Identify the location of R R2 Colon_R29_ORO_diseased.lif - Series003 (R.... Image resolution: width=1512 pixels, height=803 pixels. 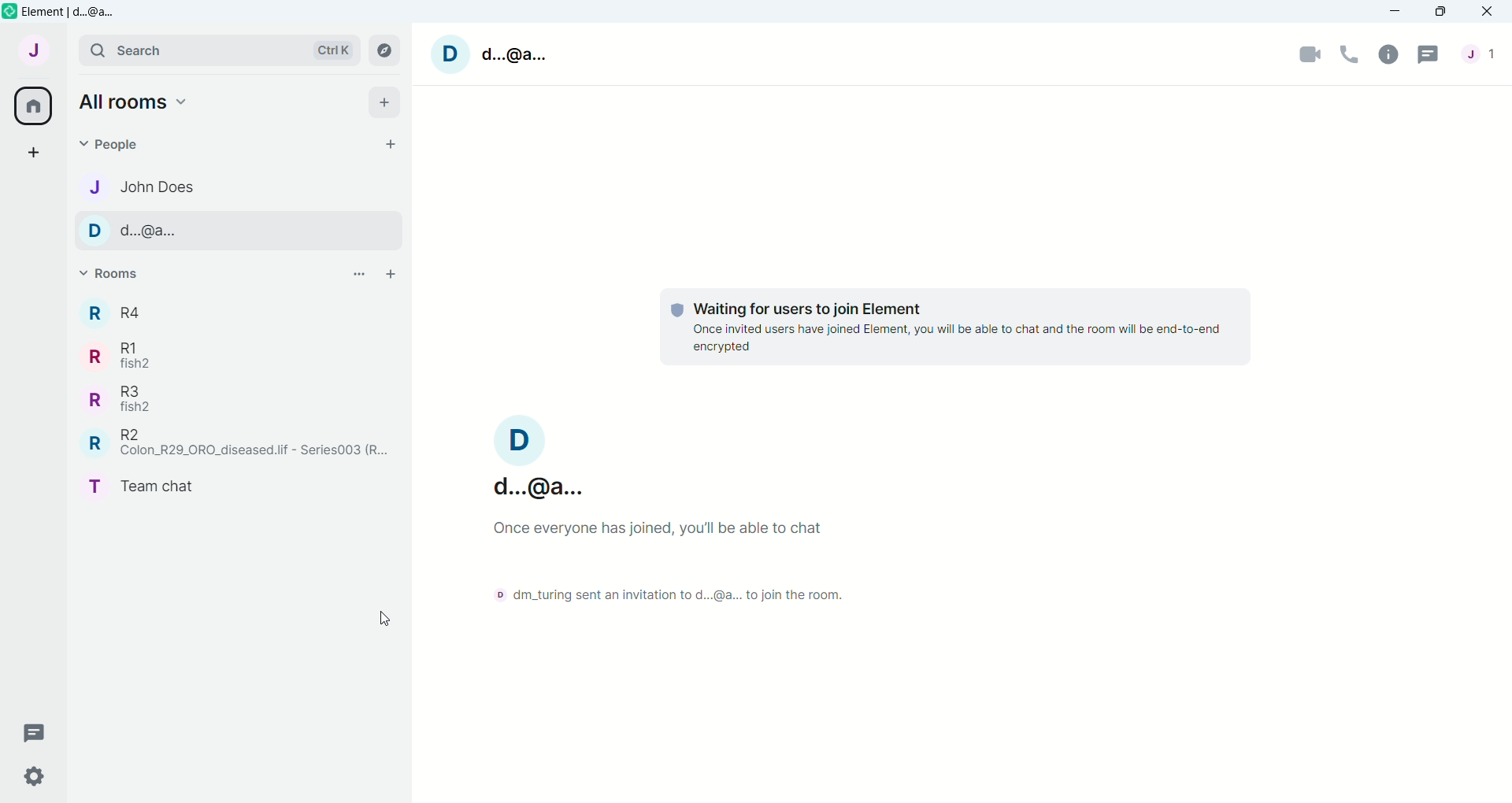
(241, 444).